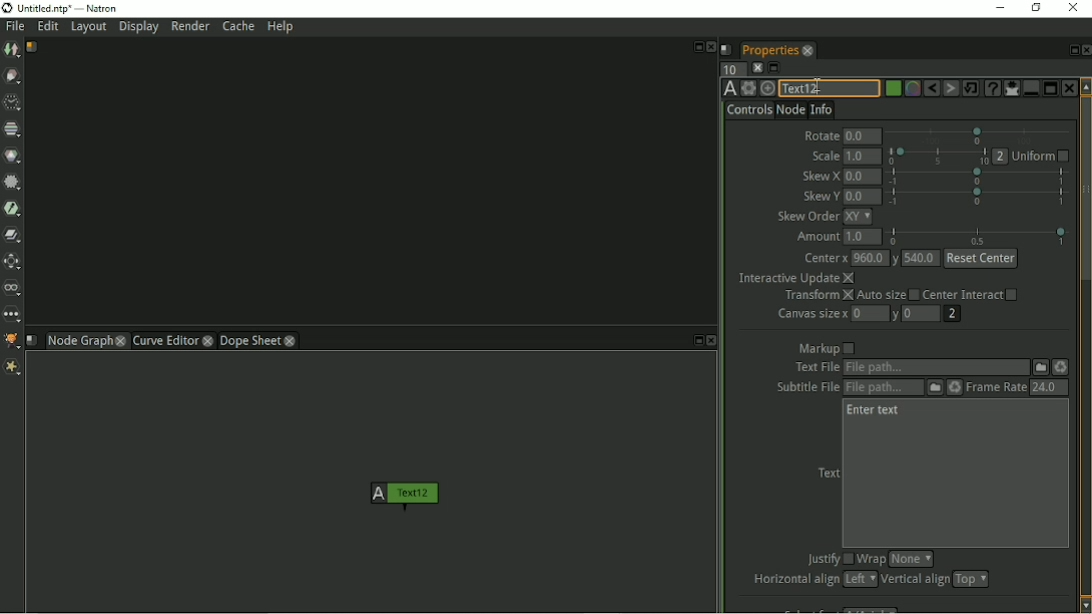 Image resolution: width=1092 pixels, height=614 pixels. What do you see at coordinates (811, 314) in the screenshot?
I see `Canvas size` at bounding box center [811, 314].